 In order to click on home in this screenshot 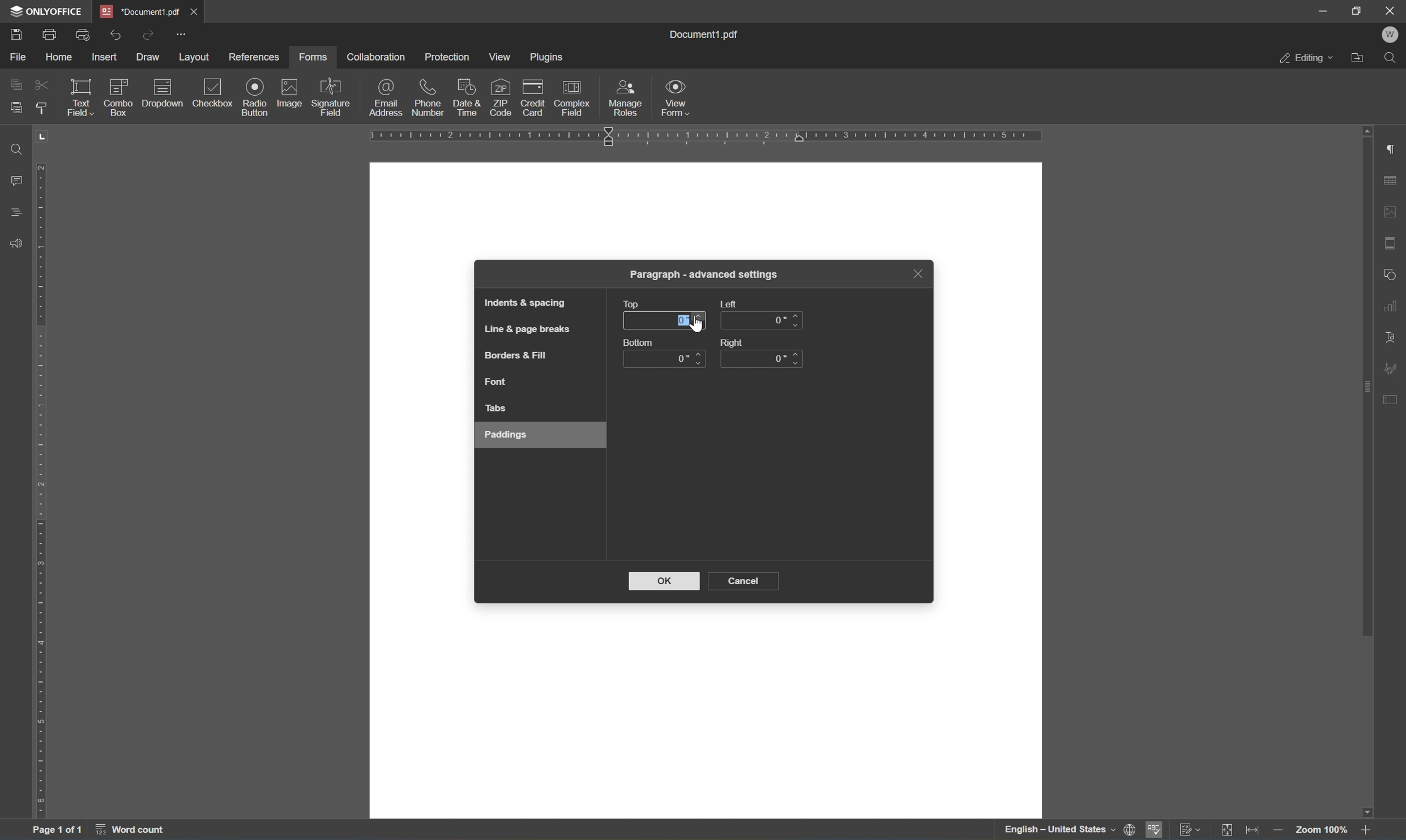, I will do `click(61, 57)`.